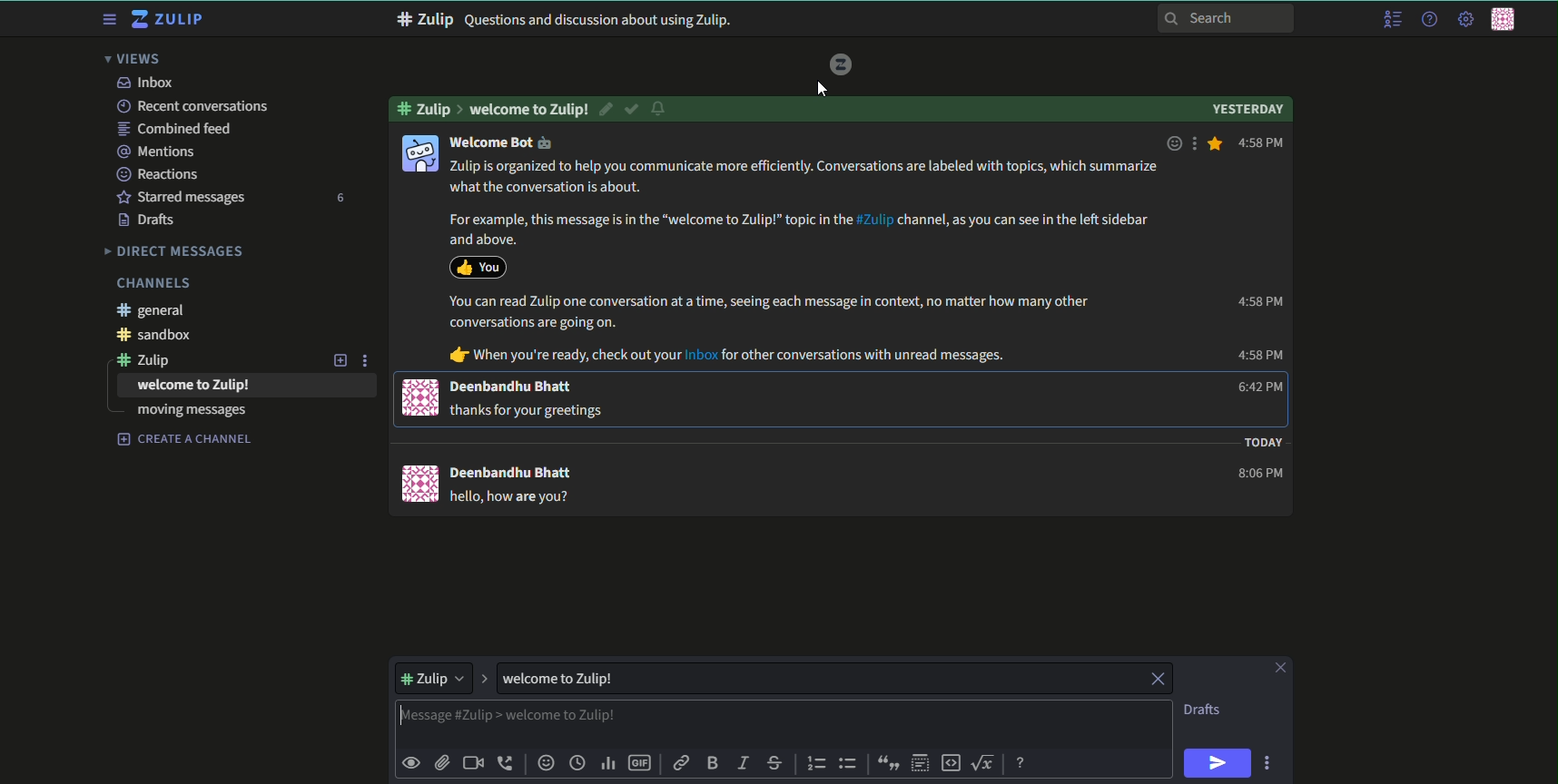 The height and width of the screenshot is (784, 1558). What do you see at coordinates (170, 20) in the screenshot?
I see `title and logo` at bounding box center [170, 20].